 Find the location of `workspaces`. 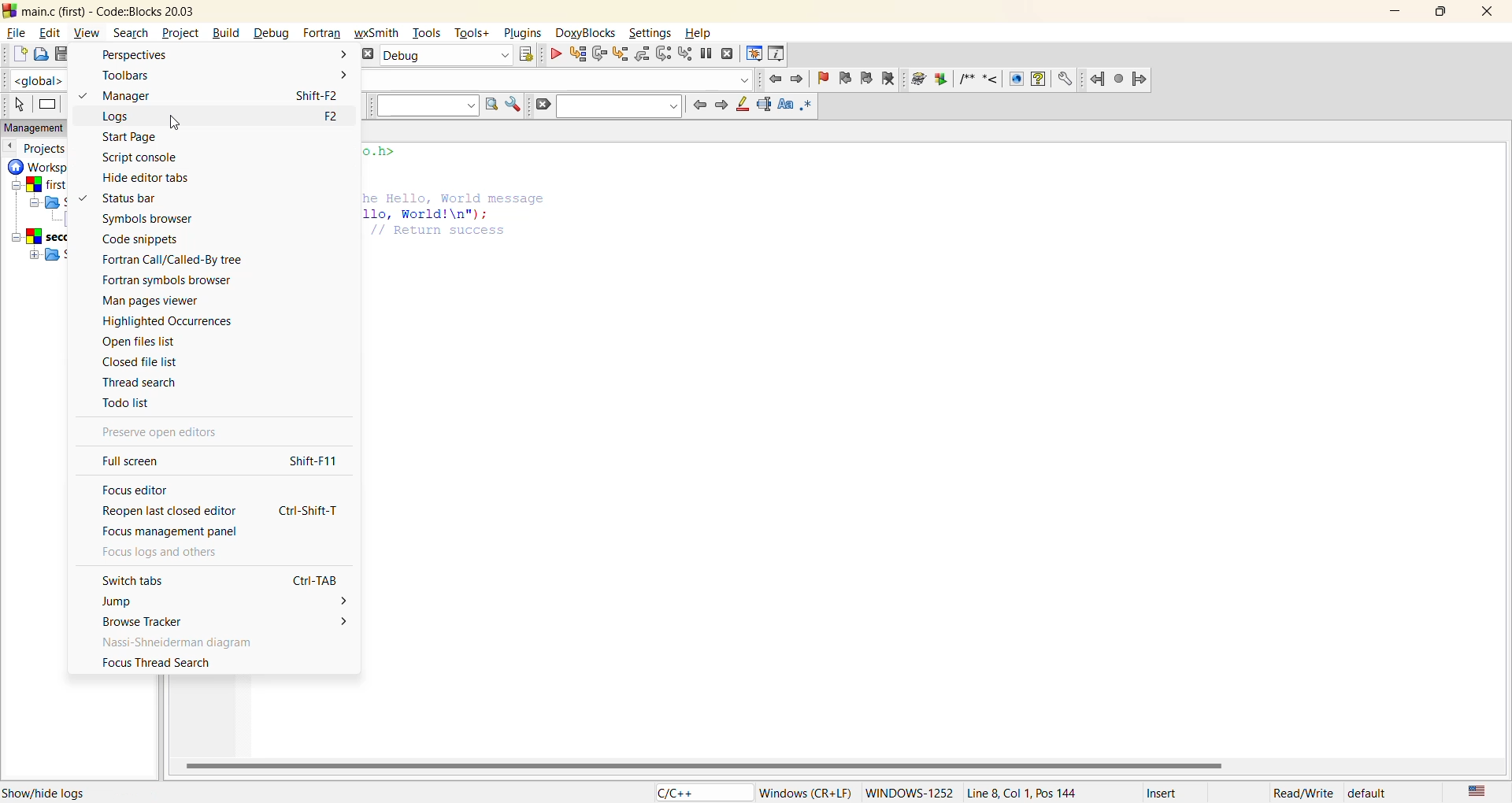

workspaces is located at coordinates (34, 215).